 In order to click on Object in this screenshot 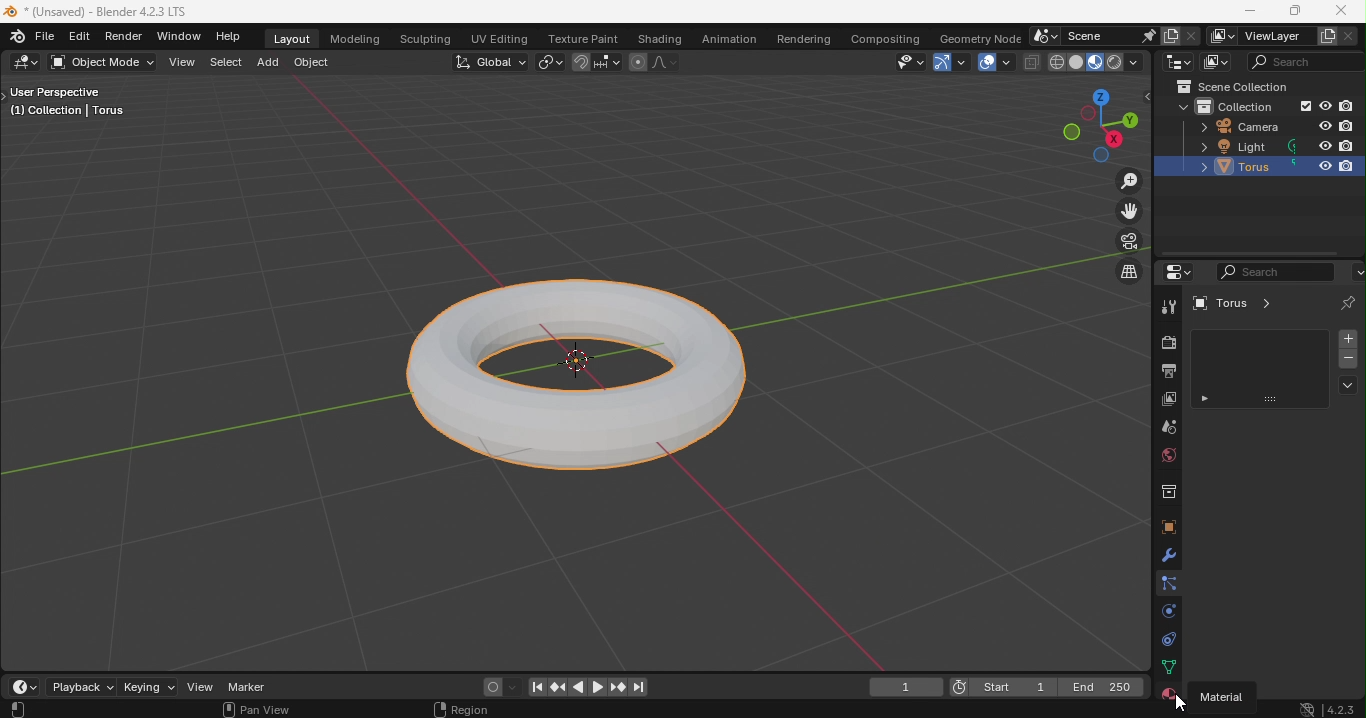, I will do `click(1167, 525)`.